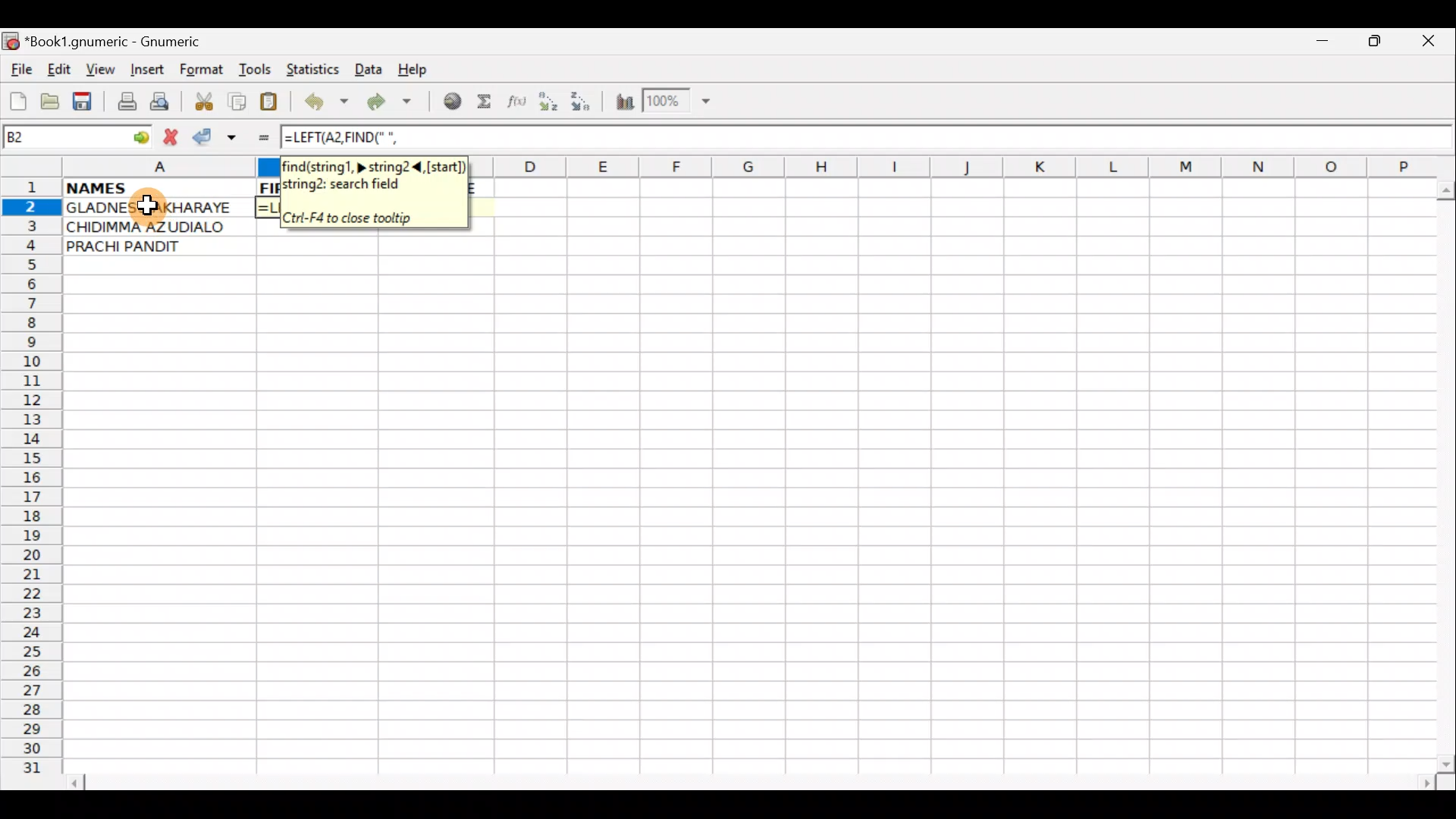 The height and width of the screenshot is (819, 1456). Describe the element at coordinates (413, 70) in the screenshot. I see `Help` at that location.